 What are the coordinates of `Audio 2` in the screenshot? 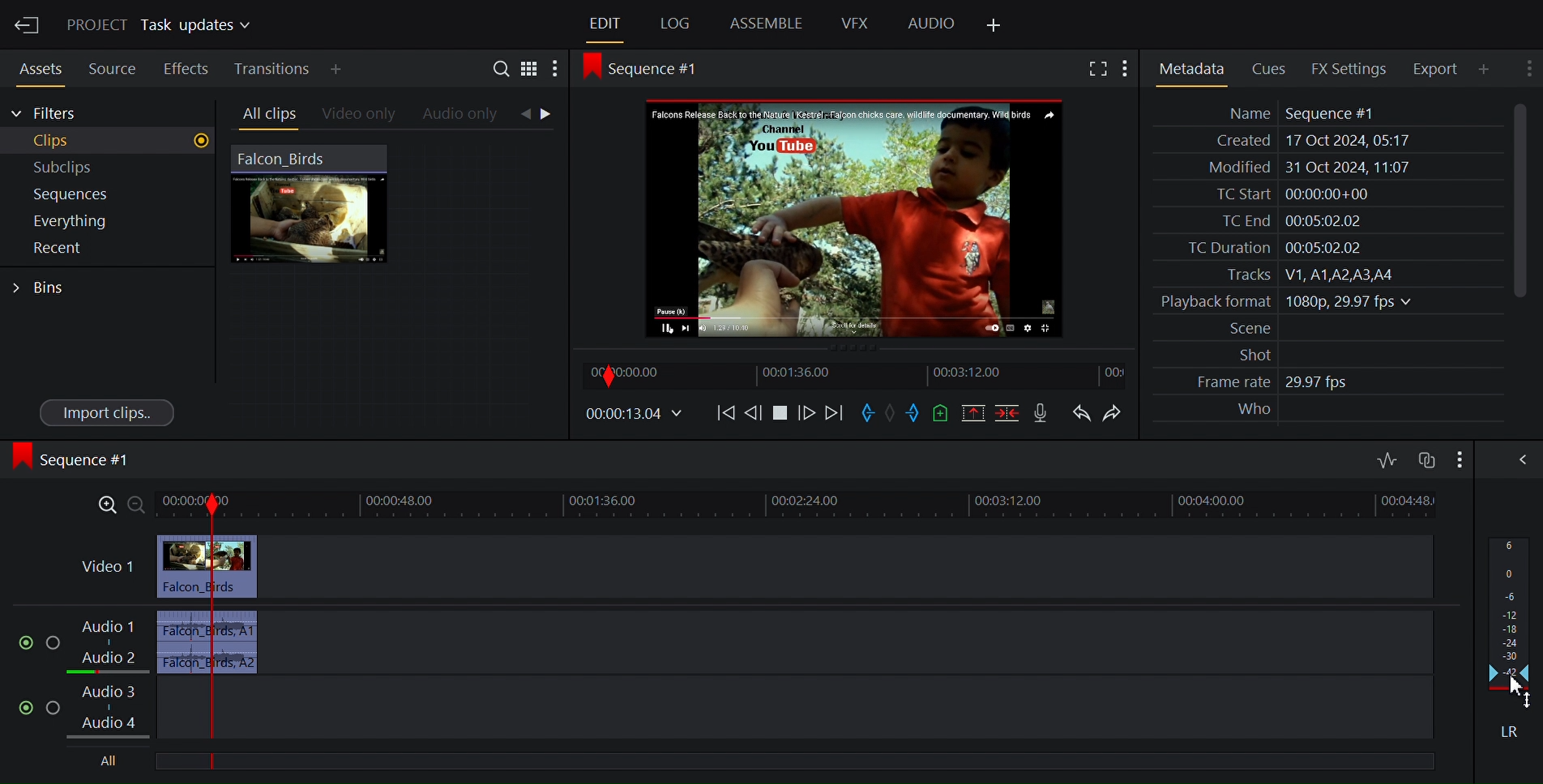 It's located at (106, 660).